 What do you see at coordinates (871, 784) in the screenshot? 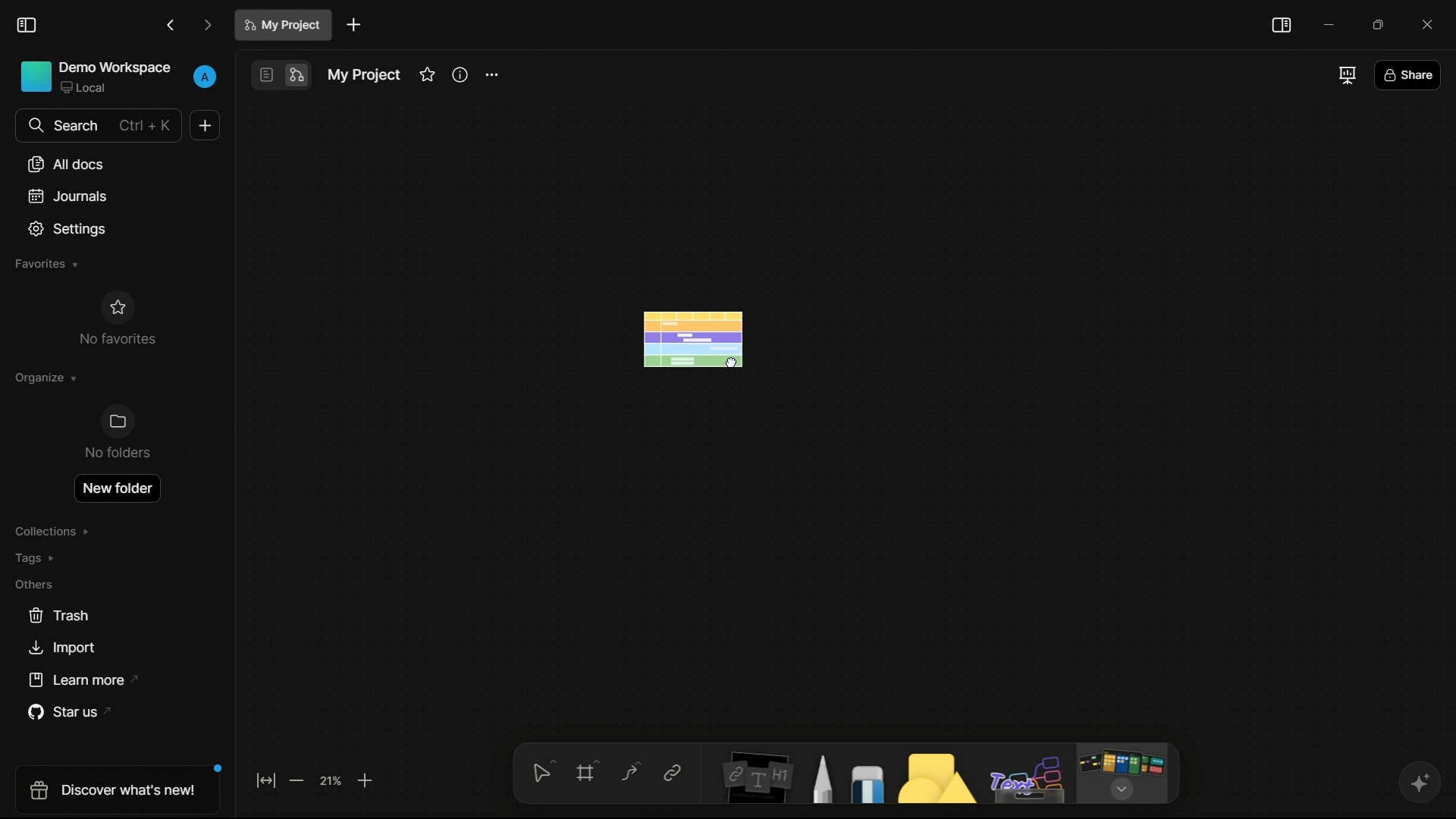
I see `eraser` at bounding box center [871, 784].